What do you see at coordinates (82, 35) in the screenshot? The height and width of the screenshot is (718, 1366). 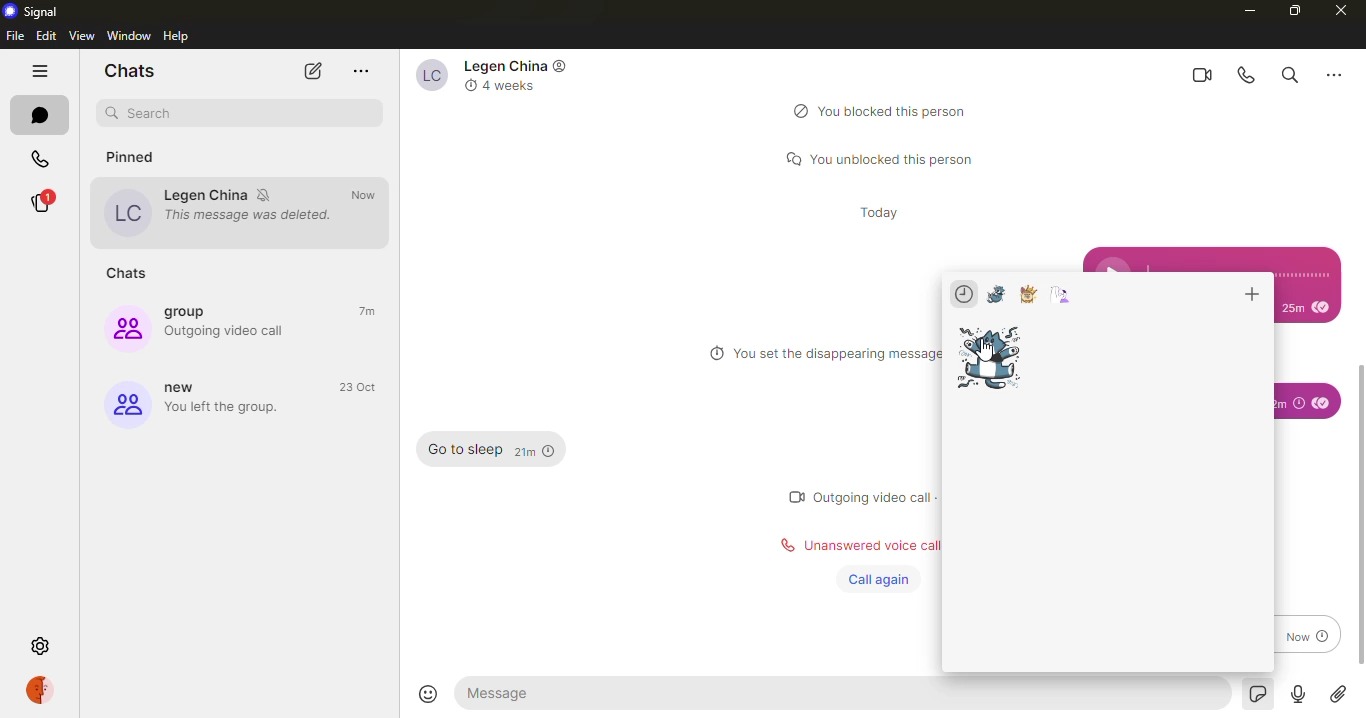 I see `view` at bounding box center [82, 35].